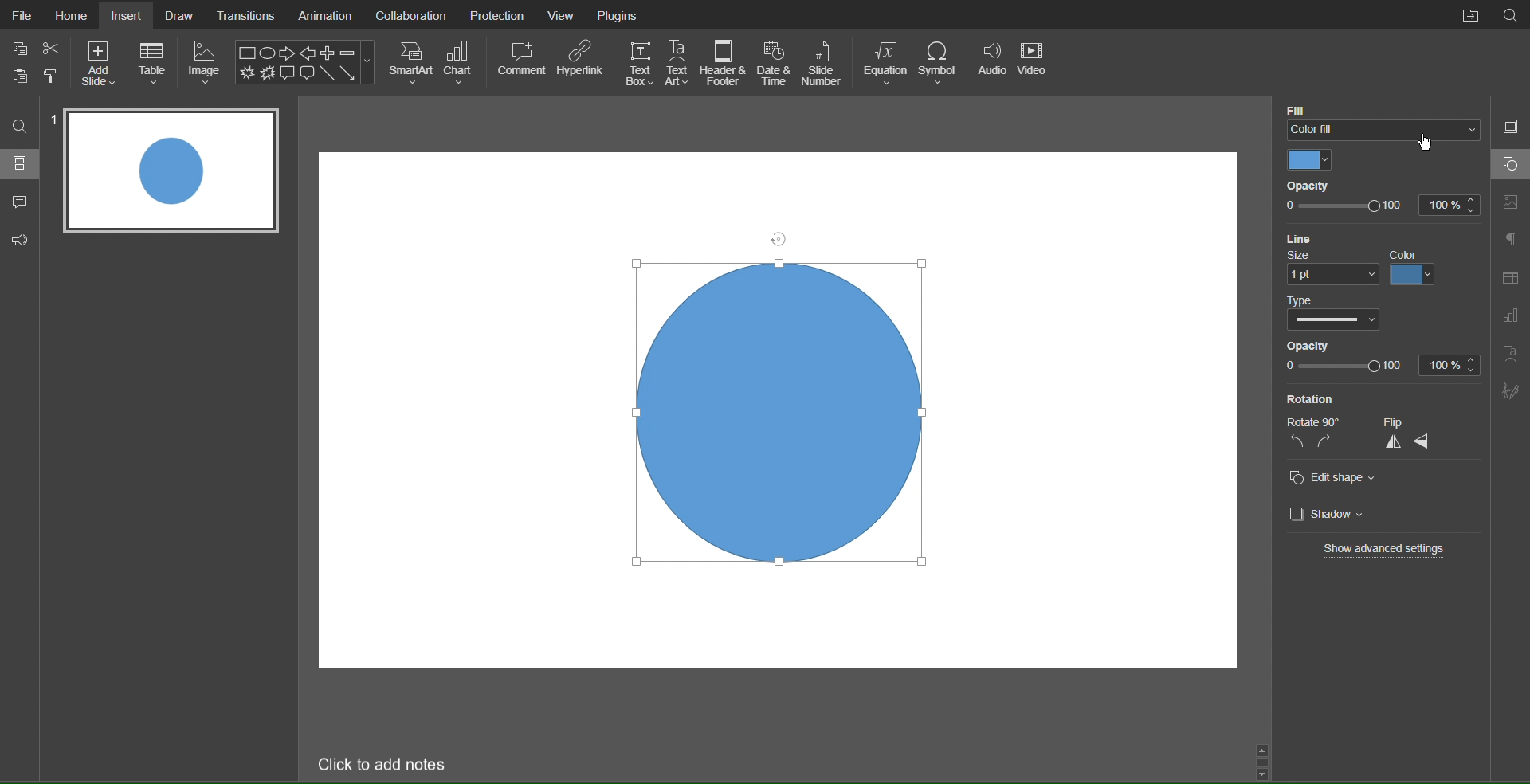 The width and height of the screenshot is (1530, 784). Describe the element at coordinates (1512, 356) in the screenshot. I see `Text Art` at that location.